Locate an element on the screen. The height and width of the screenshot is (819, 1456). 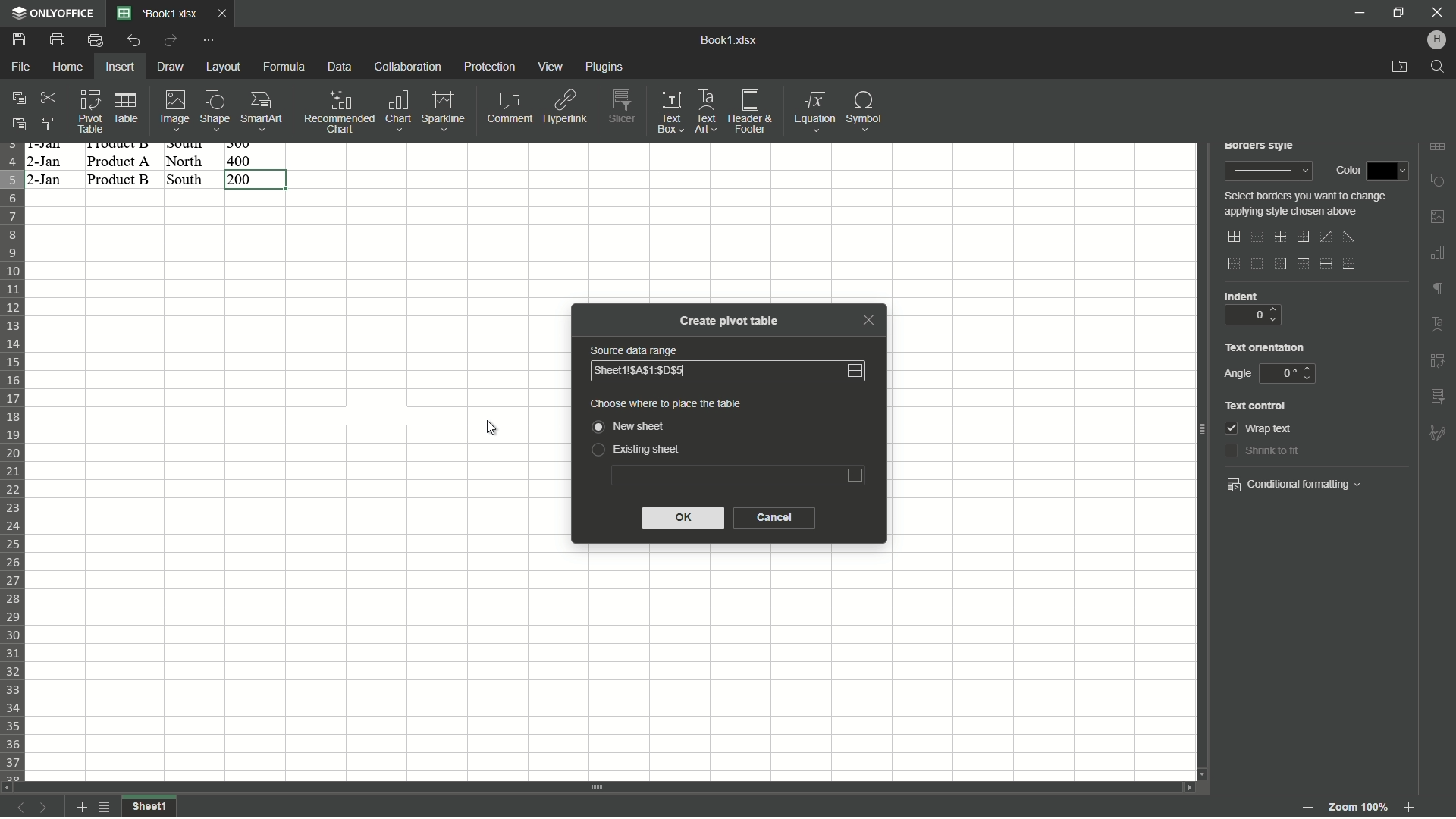
Redo is located at coordinates (171, 39).